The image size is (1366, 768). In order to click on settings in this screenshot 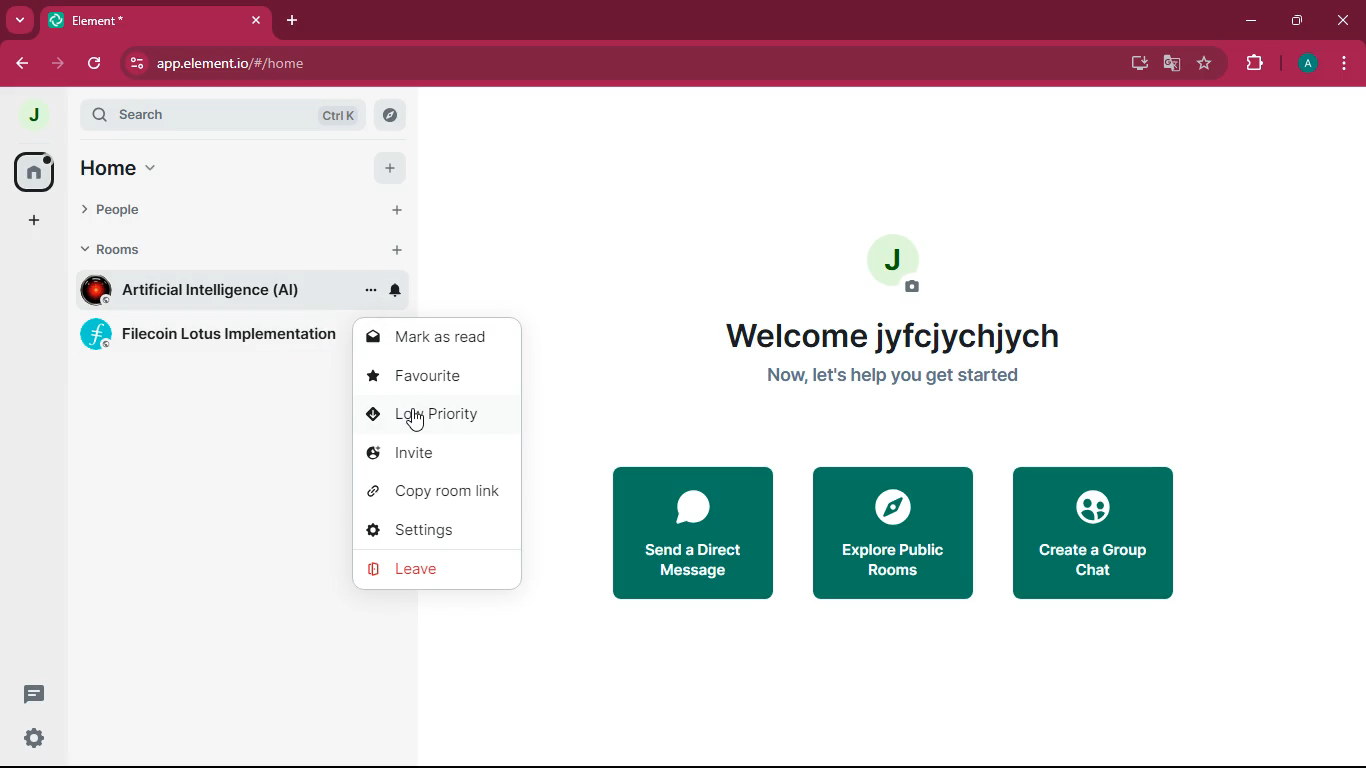, I will do `click(435, 529)`.